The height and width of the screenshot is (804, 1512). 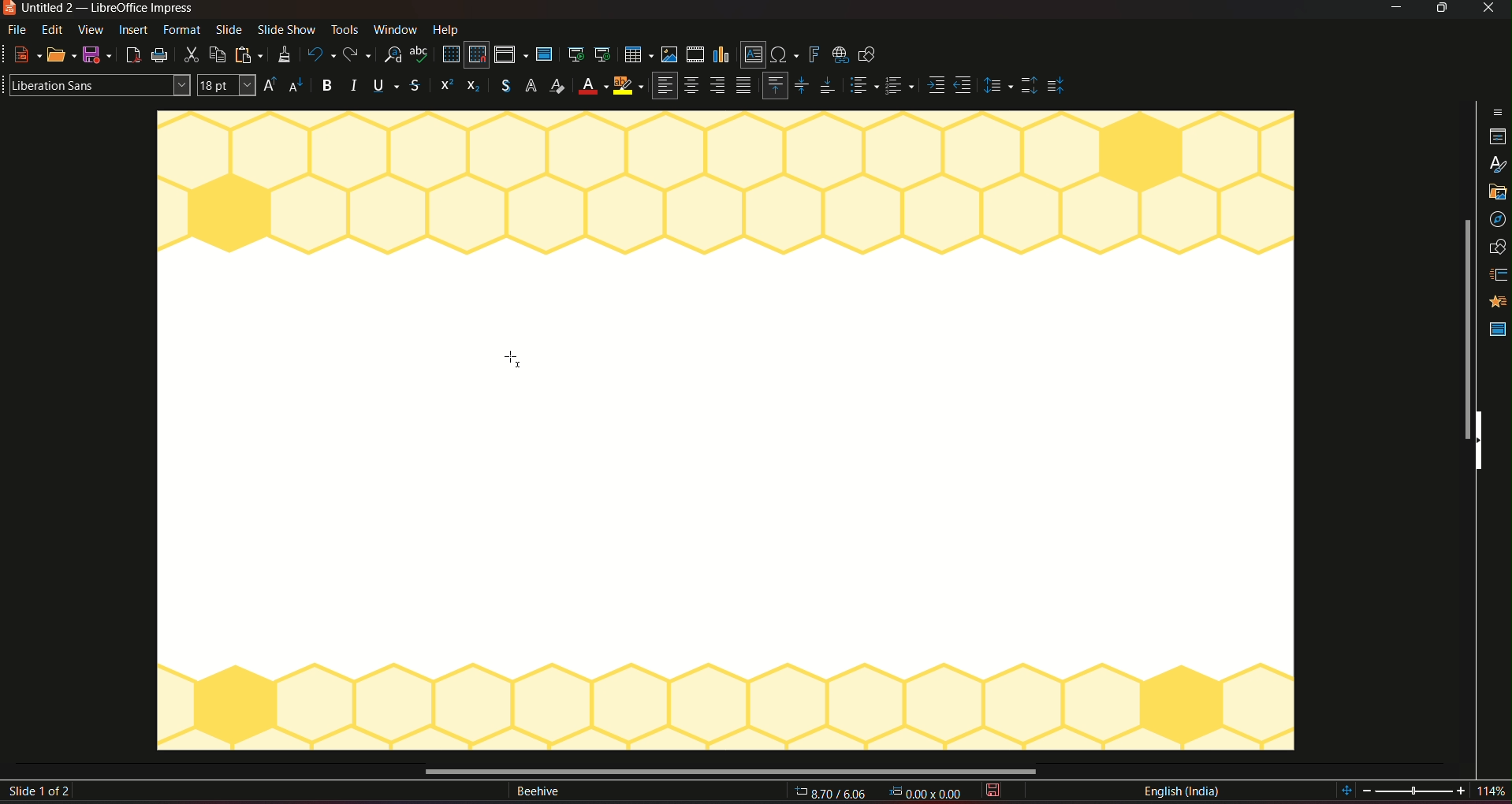 I want to click on Font color, so click(x=557, y=86).